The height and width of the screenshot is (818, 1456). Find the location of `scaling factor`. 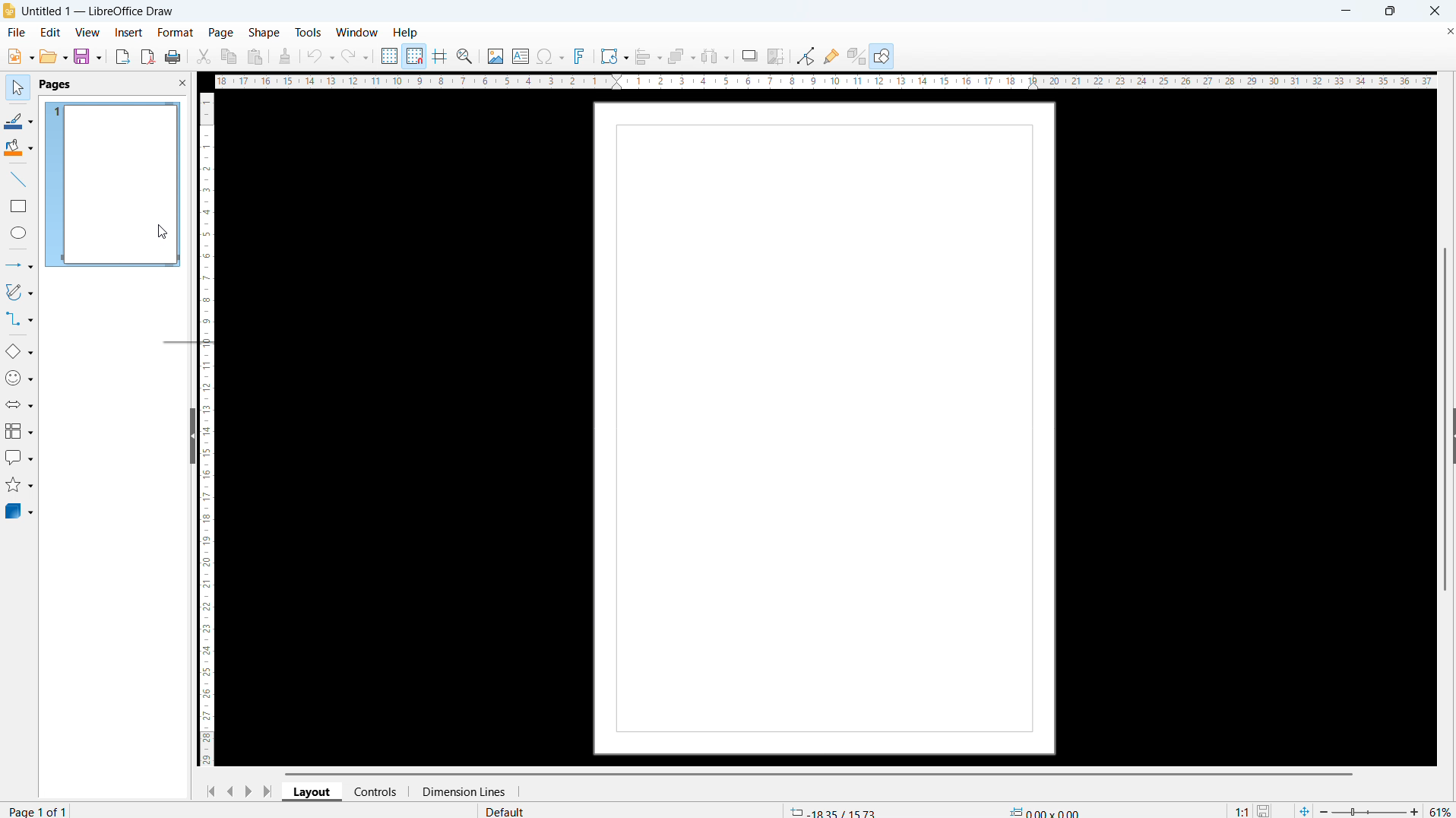

scaling factor is located at coordinates (1242, 809).